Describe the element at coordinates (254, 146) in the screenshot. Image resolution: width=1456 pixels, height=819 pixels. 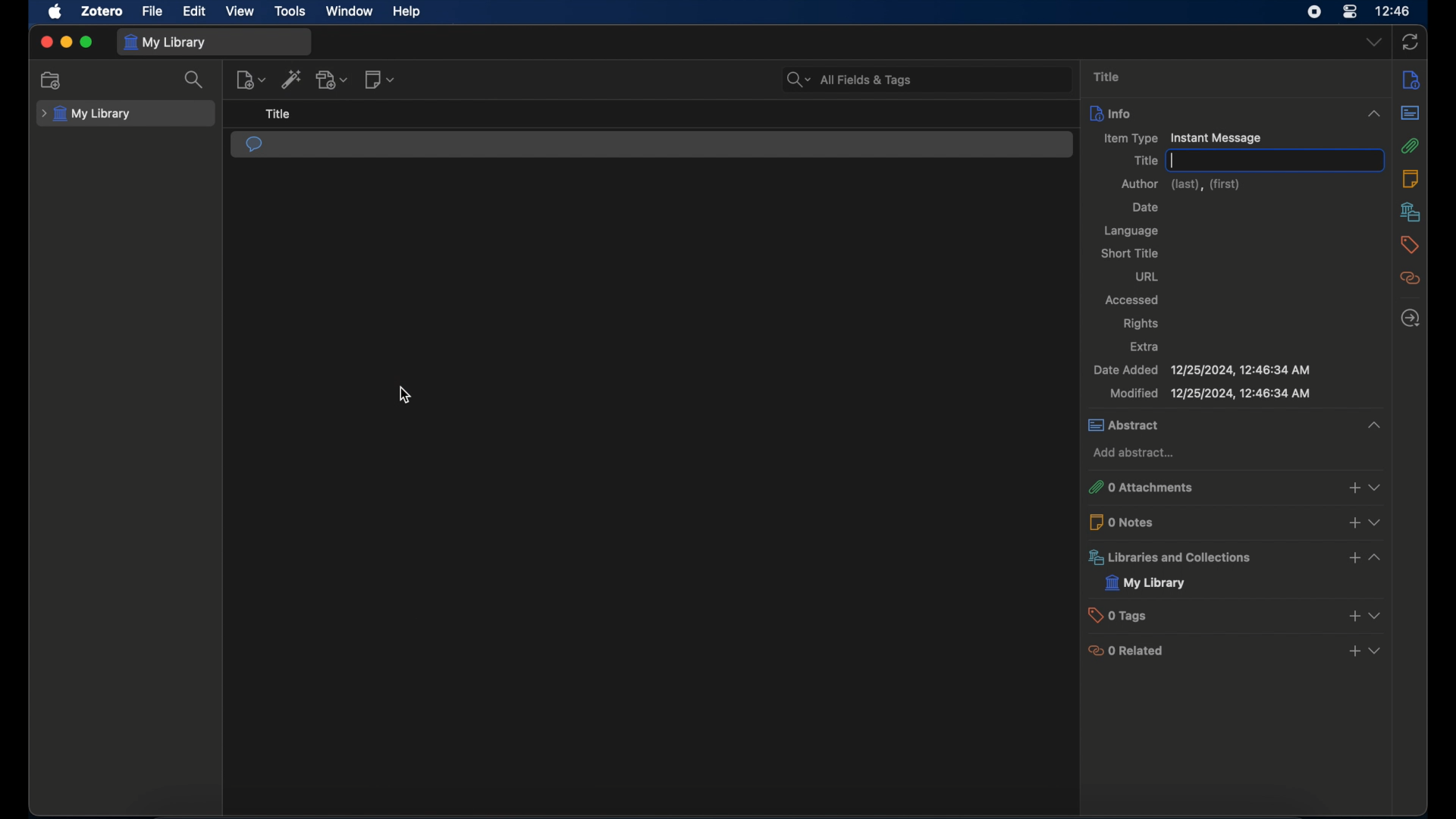
I see `instant message` at that location.